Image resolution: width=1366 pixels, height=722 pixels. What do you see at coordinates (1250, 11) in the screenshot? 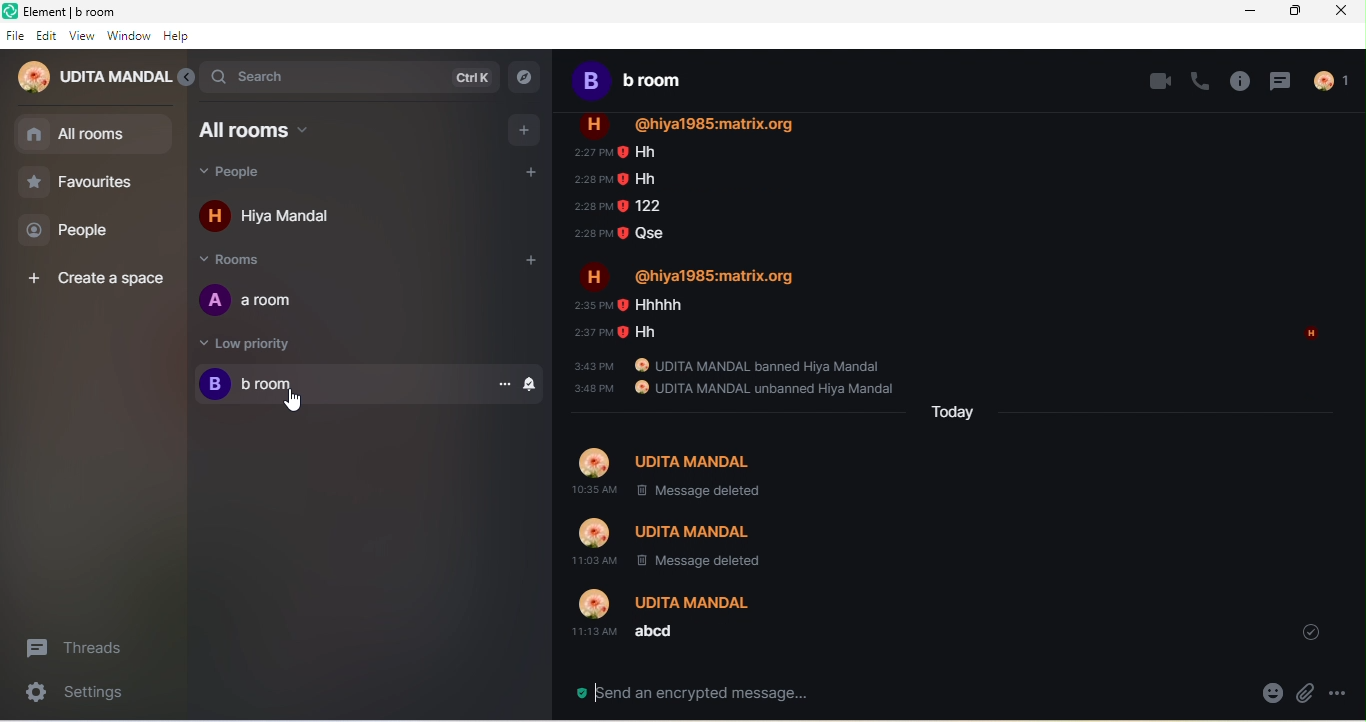
I see `minimize` at bounding box center [1250, 11].